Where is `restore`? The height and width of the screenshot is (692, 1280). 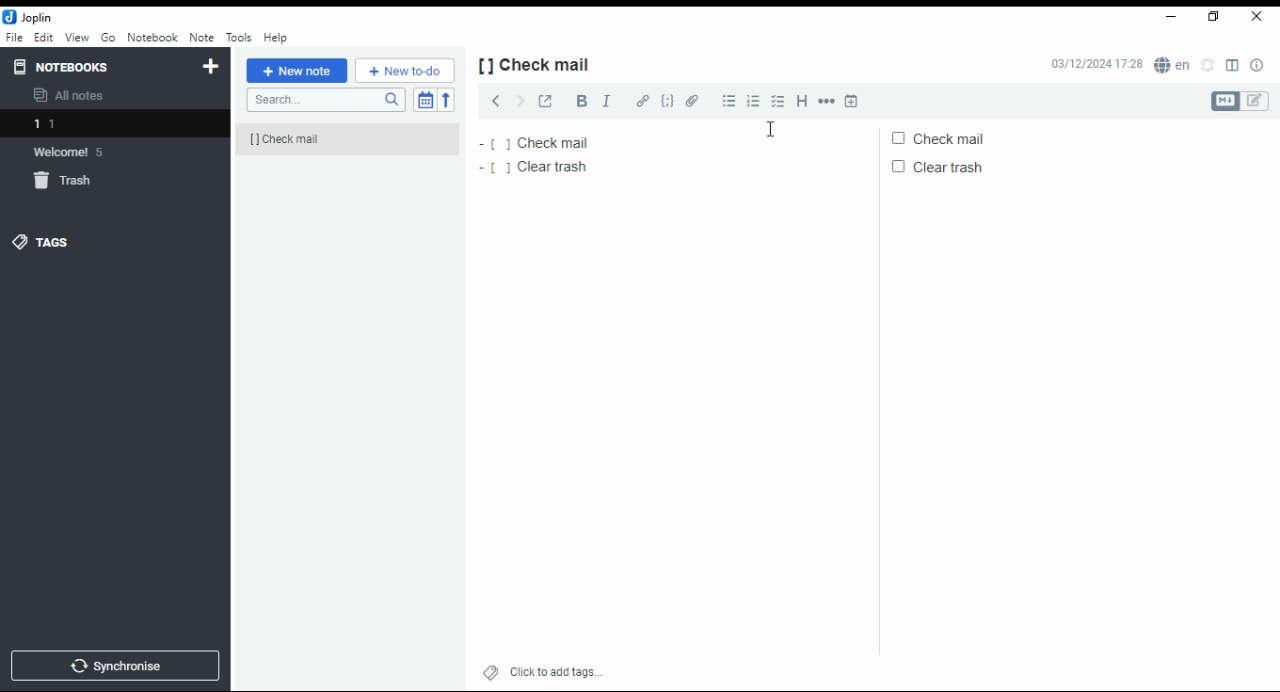 restore is located at coordinates (1216, 17).